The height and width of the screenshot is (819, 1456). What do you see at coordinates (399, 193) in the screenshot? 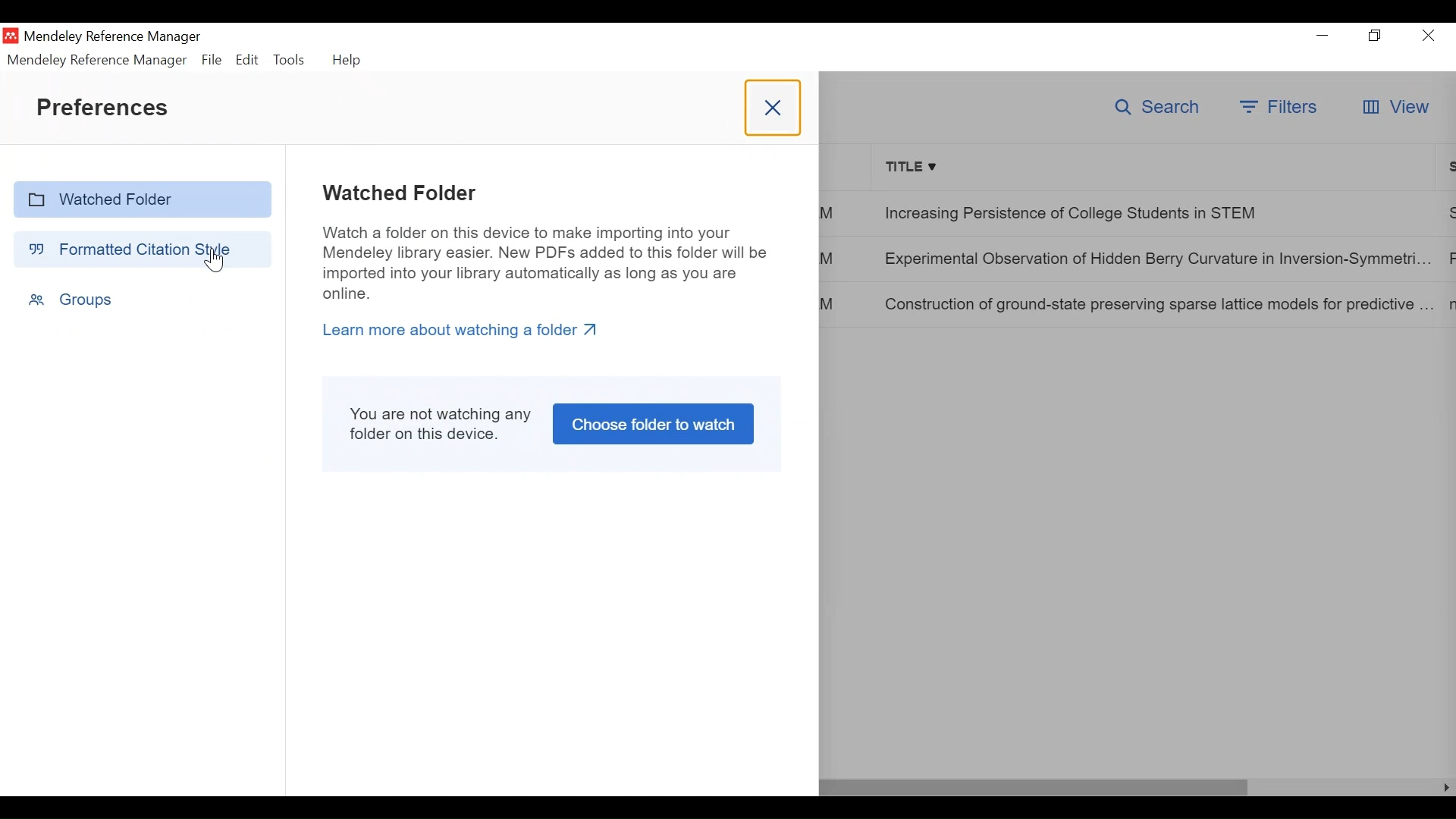
I see `Watched Folder` at bounding box center [399, 193].